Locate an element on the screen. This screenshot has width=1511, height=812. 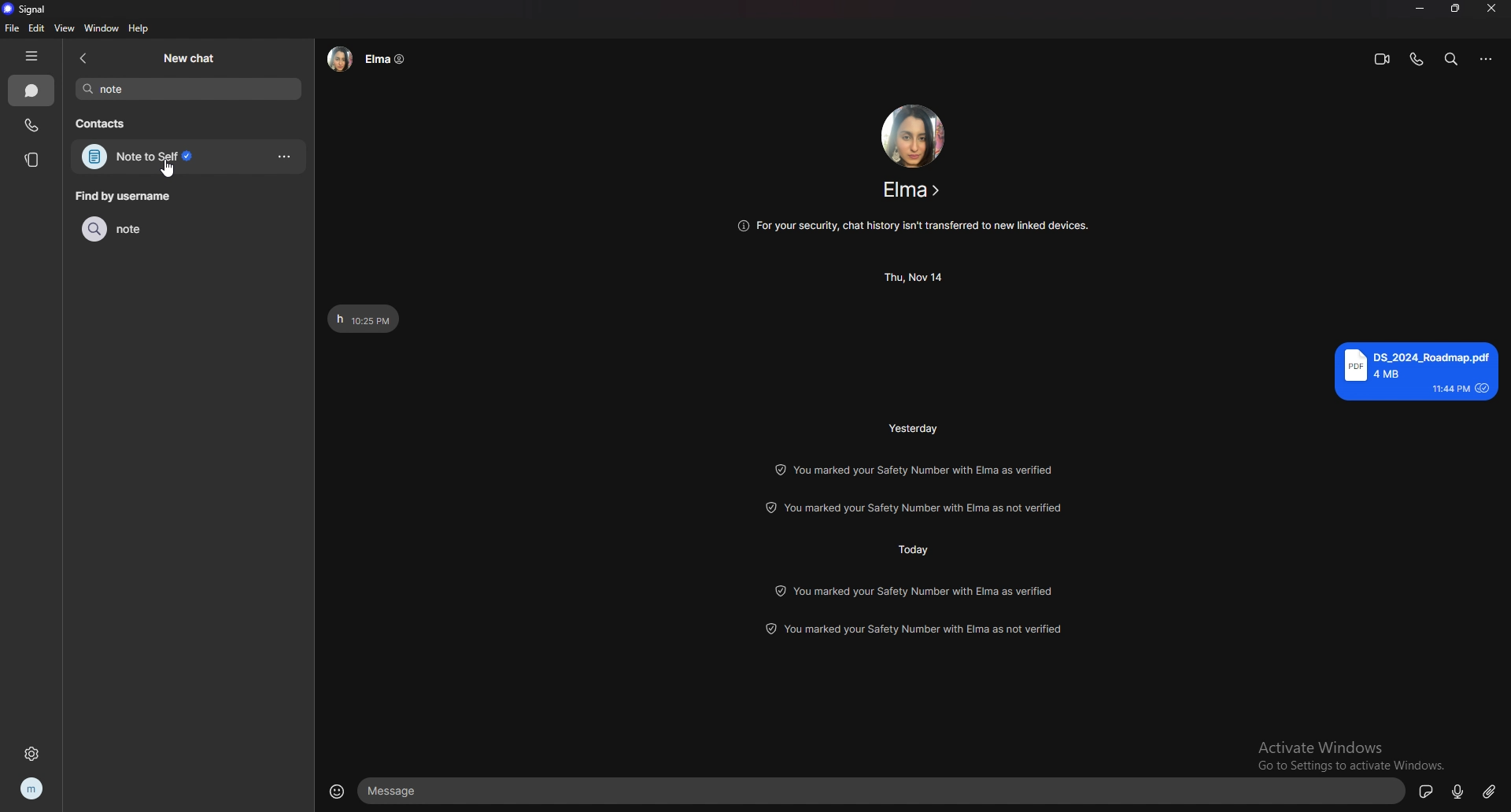
text is located at coordinates (1417, 371).